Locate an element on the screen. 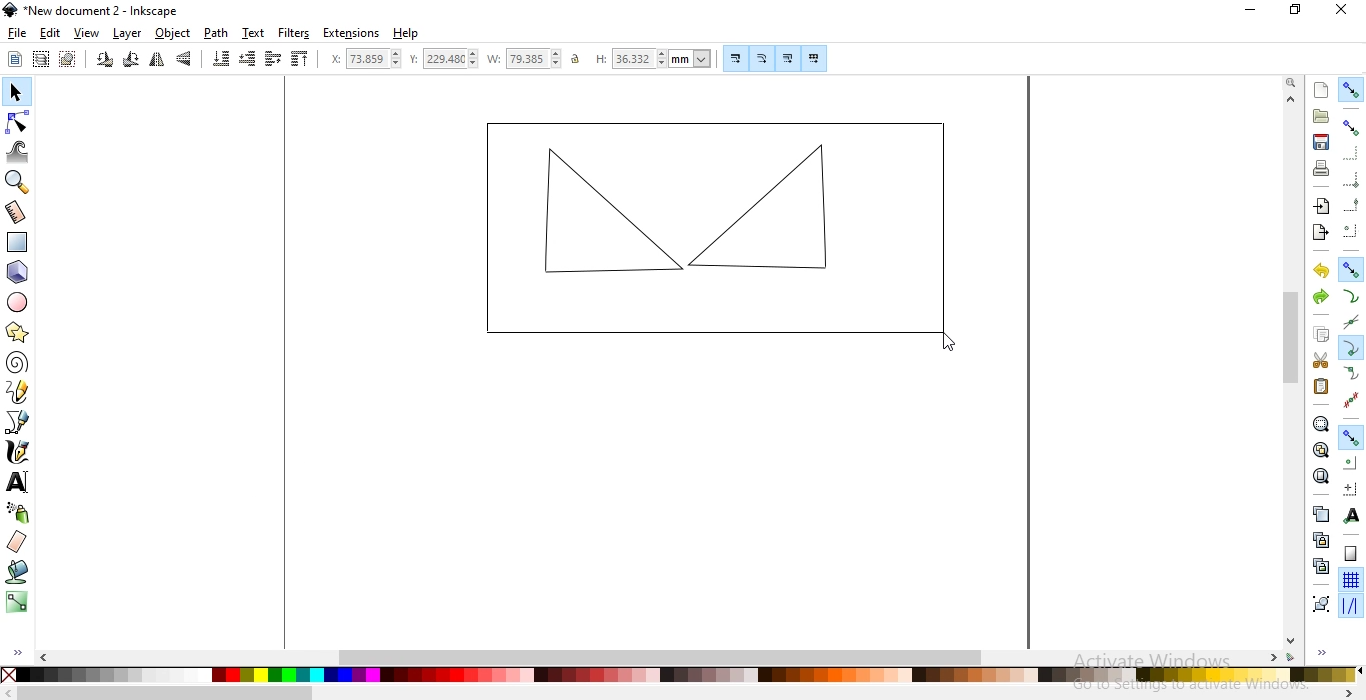  snap to grids is located at coordinates (1351, 580).